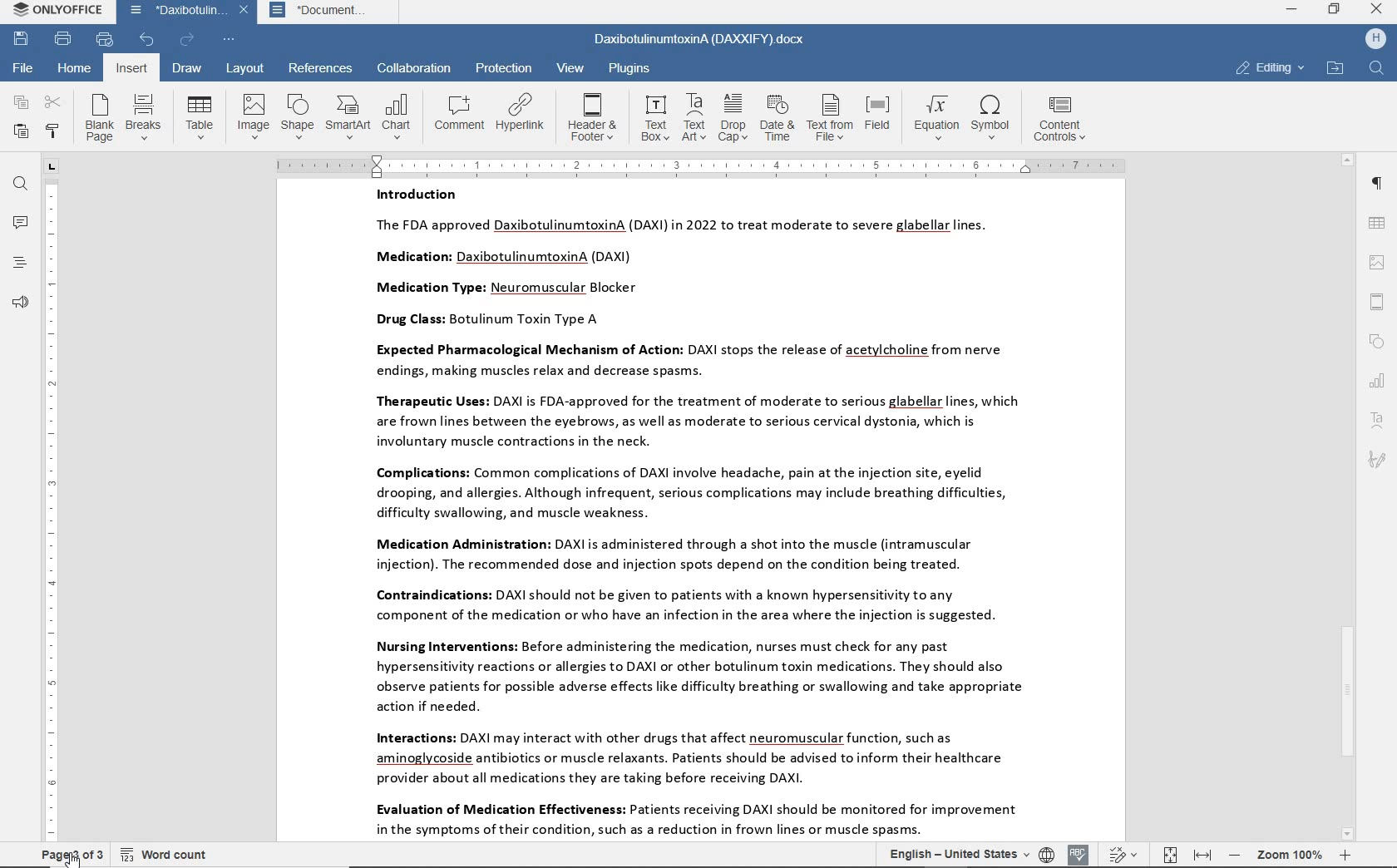 The width and height of the screenshot is (1397, 868). What do you see at coordinates (22, 186) in the screenshot?
I see `find` at bounding box center [22, 186].